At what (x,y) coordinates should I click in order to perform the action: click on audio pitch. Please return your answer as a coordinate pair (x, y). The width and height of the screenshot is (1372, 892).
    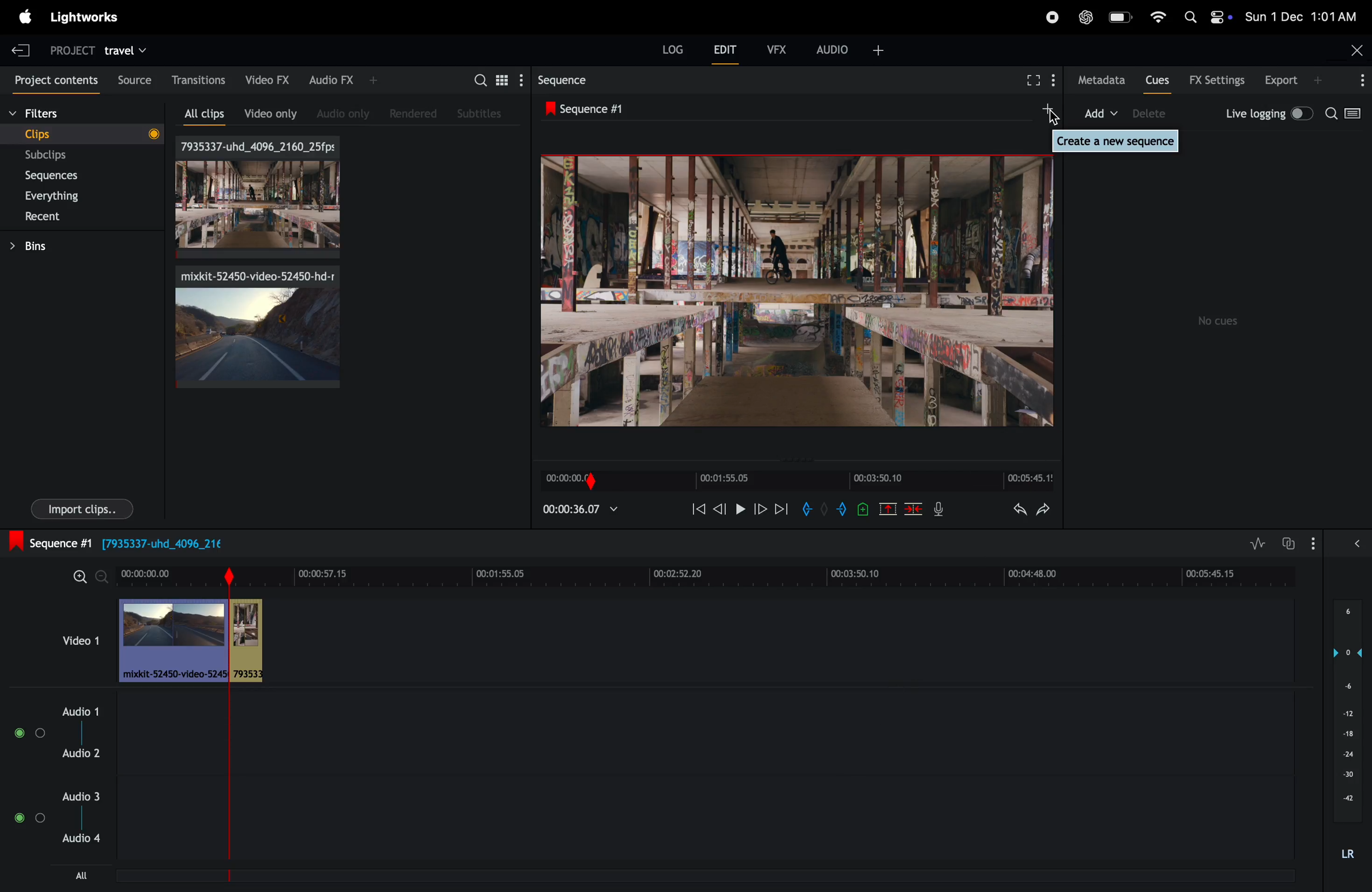
    Looking at the image, I should click on (1348, 736).